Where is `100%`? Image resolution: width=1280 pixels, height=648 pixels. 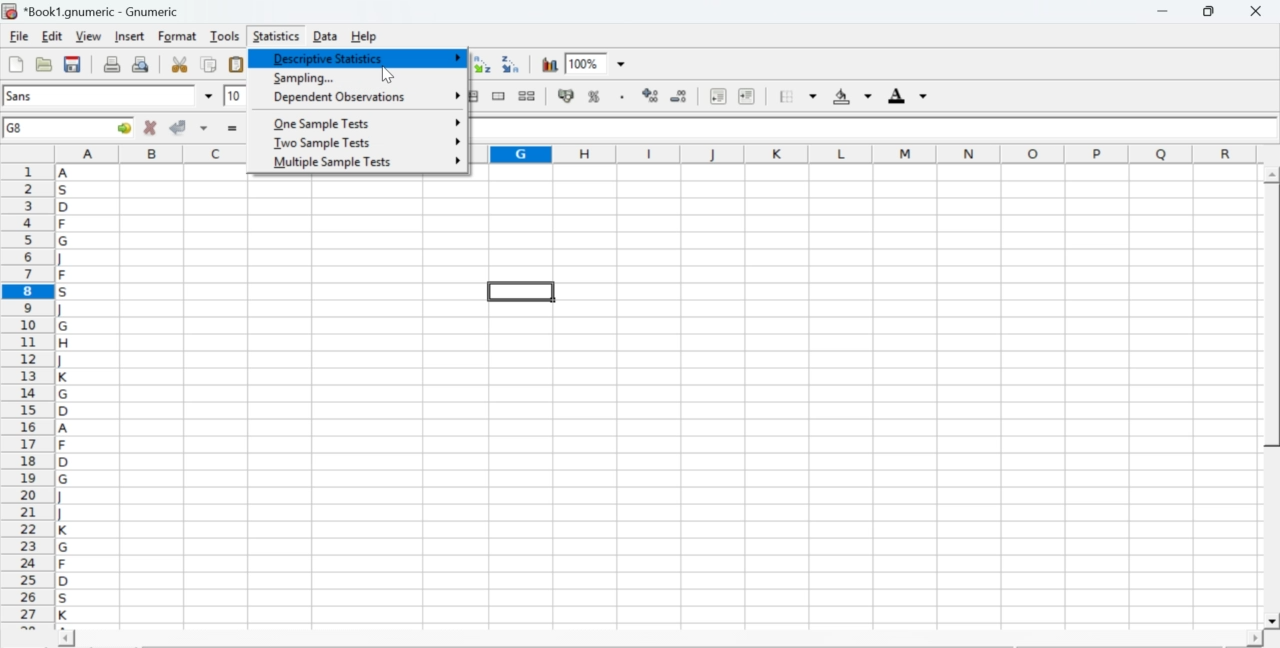
100% is located at coordinates (583, 63).